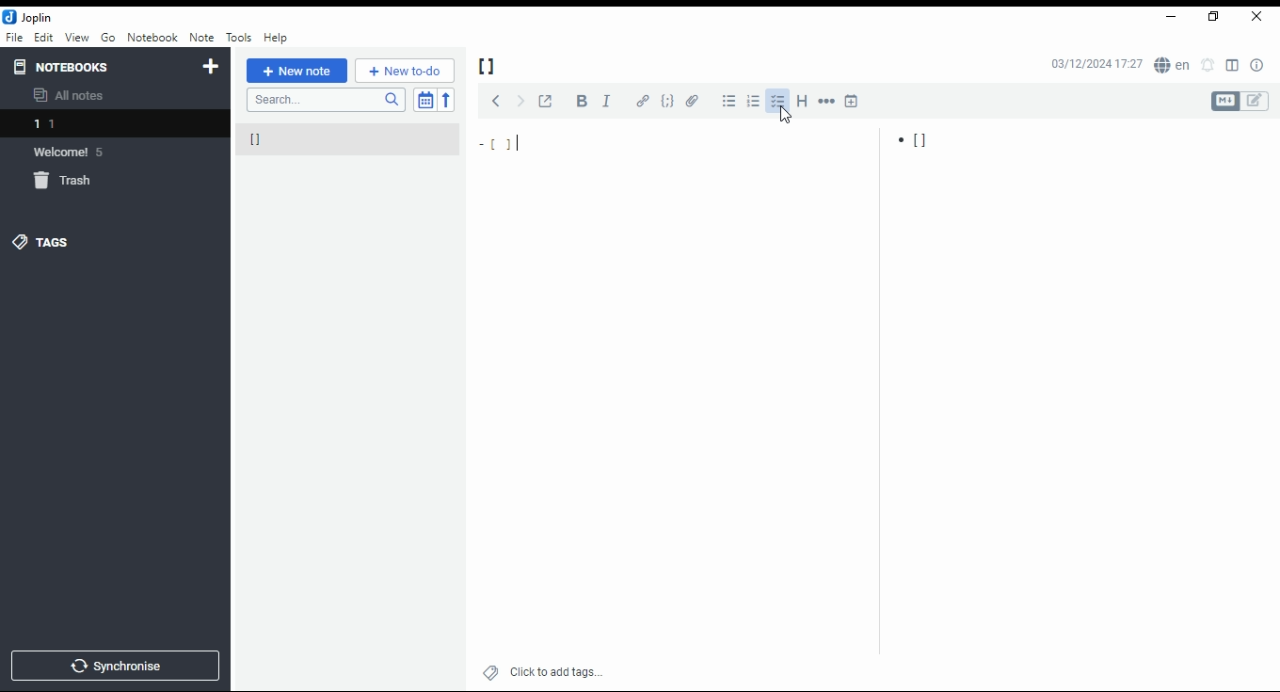  What do you see at coordinates (64, 180) in the screenshot?
I see `trash` at bounding box center [64, 180].